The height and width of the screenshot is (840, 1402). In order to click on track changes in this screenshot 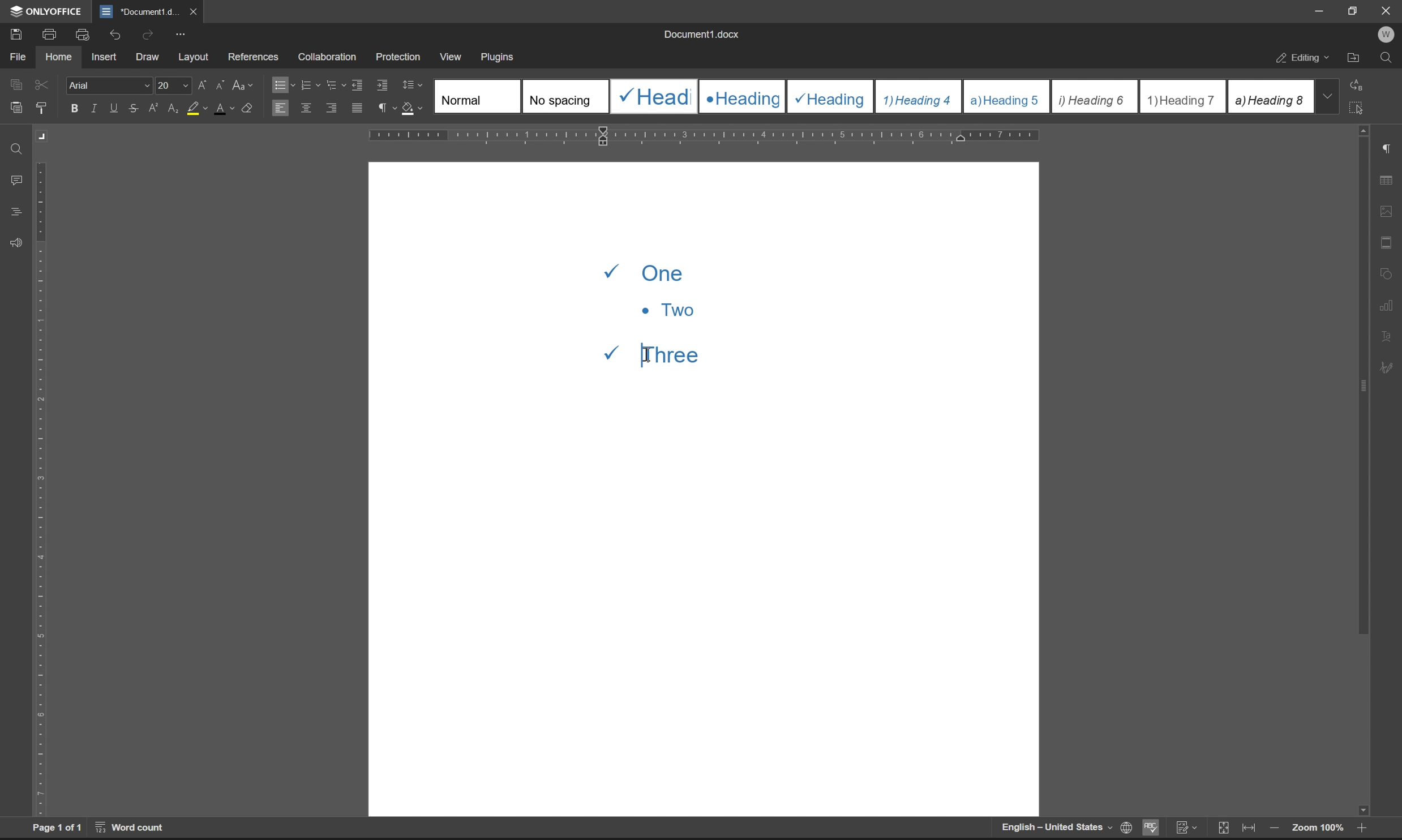, I will do `click(1186, 828)`.